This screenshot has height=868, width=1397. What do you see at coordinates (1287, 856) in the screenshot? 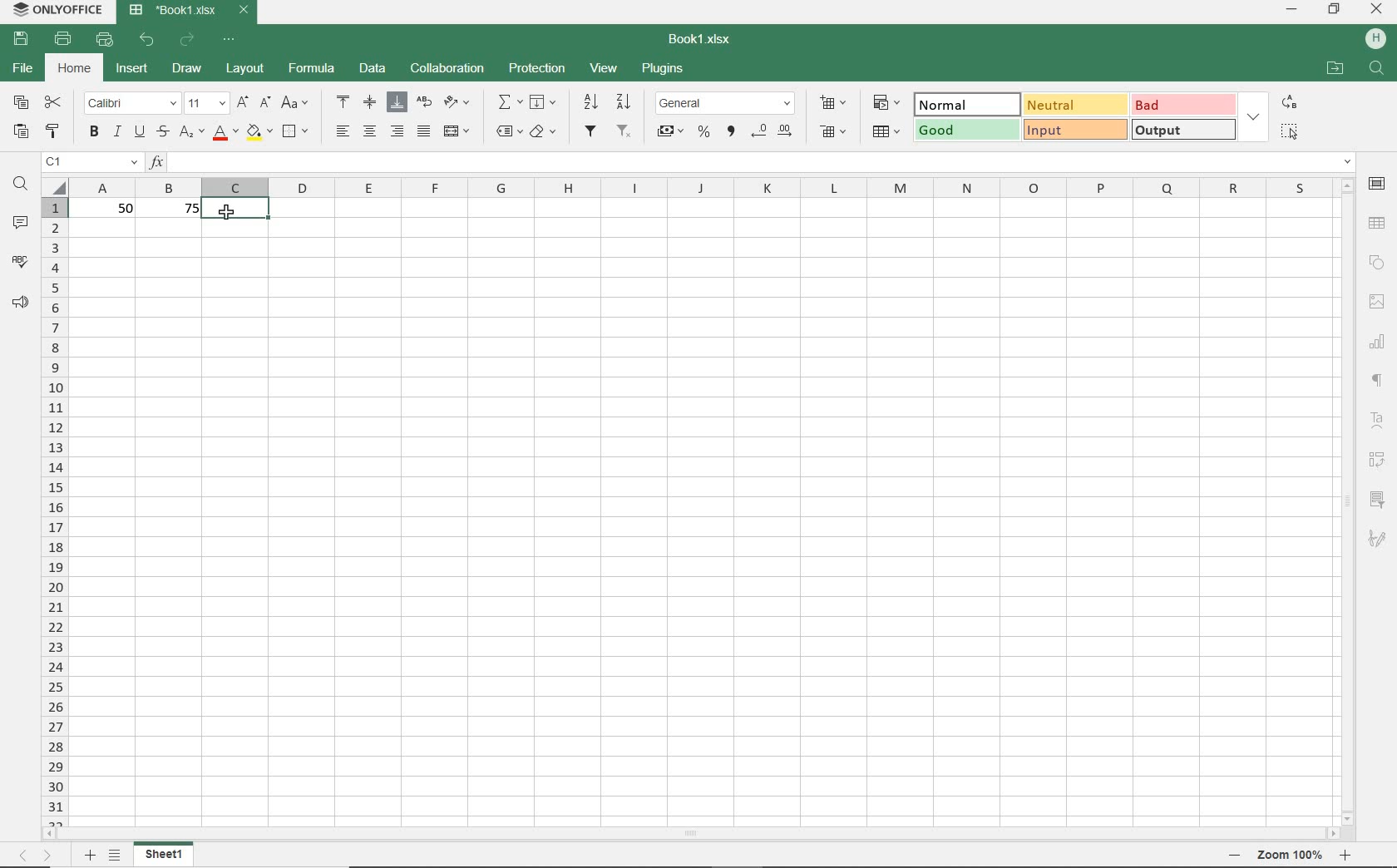
I see `zoom` at bounding box center [1287, 856].